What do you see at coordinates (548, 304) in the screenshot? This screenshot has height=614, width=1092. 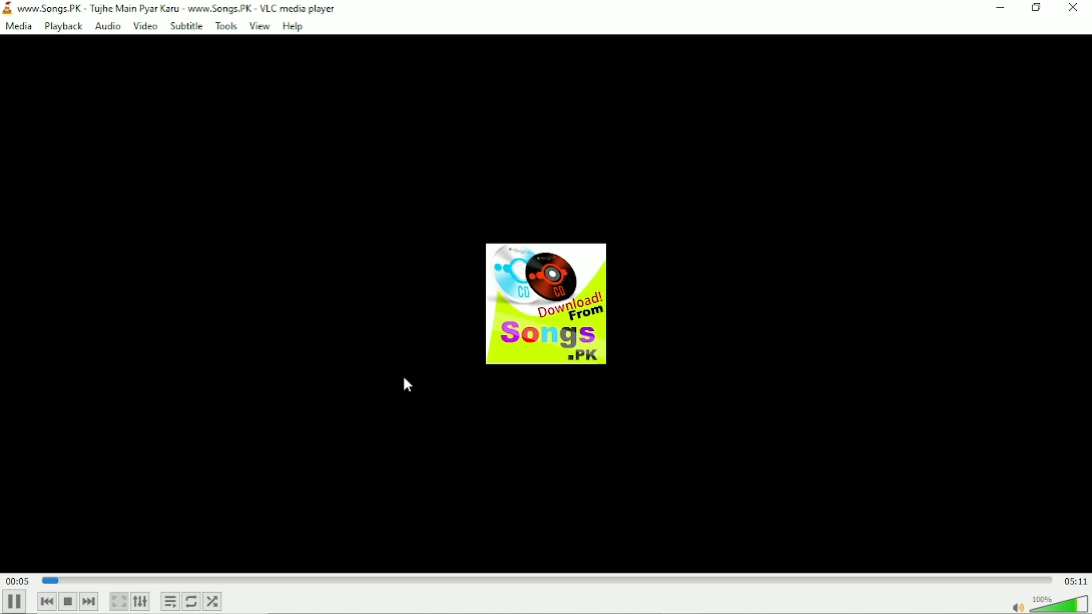 I see `Audio track` at bounding box center [548, 304].